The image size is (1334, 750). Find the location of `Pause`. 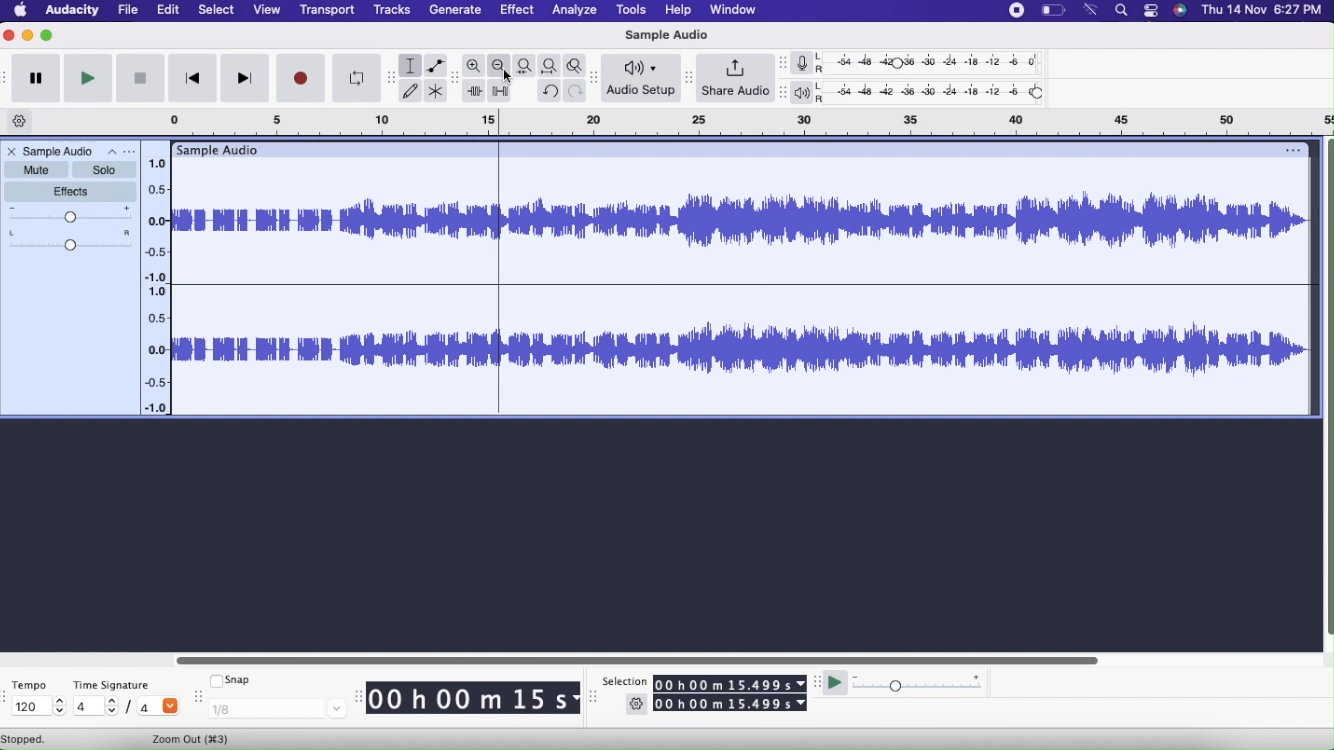

Pause is located at coordinates (36, 79).